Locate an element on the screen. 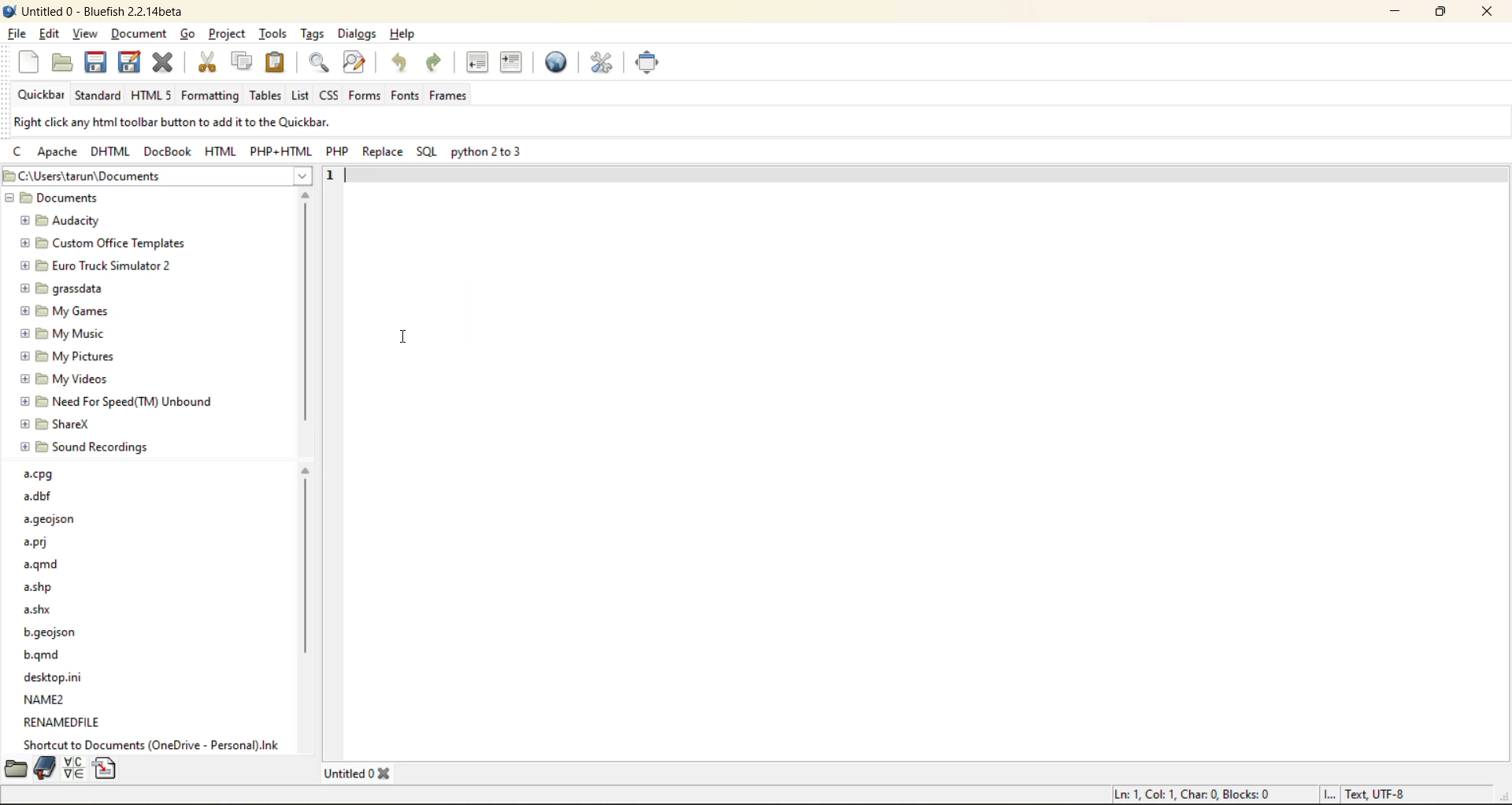 Image resolution: width=1512 pixels, height=805 pixels. php is located at coordinates (339, 150).